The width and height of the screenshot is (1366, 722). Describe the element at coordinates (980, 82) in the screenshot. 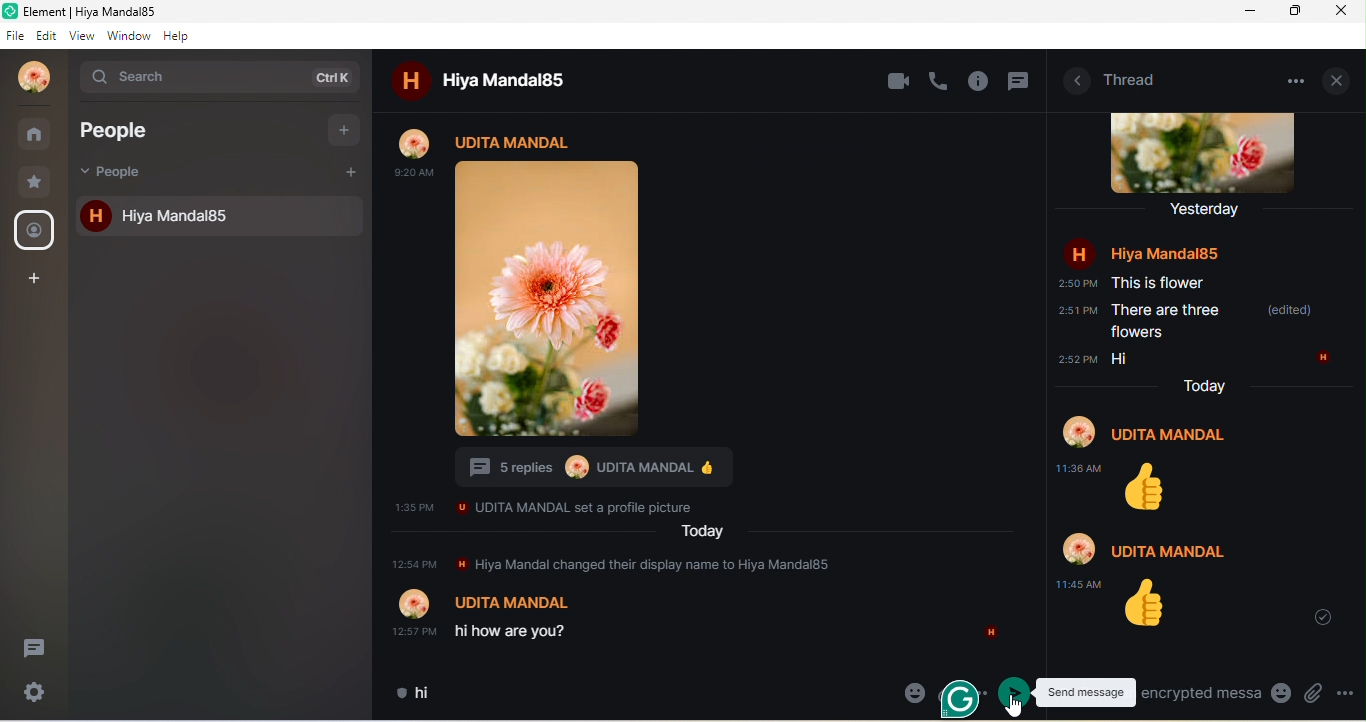

I see `info` at that location.